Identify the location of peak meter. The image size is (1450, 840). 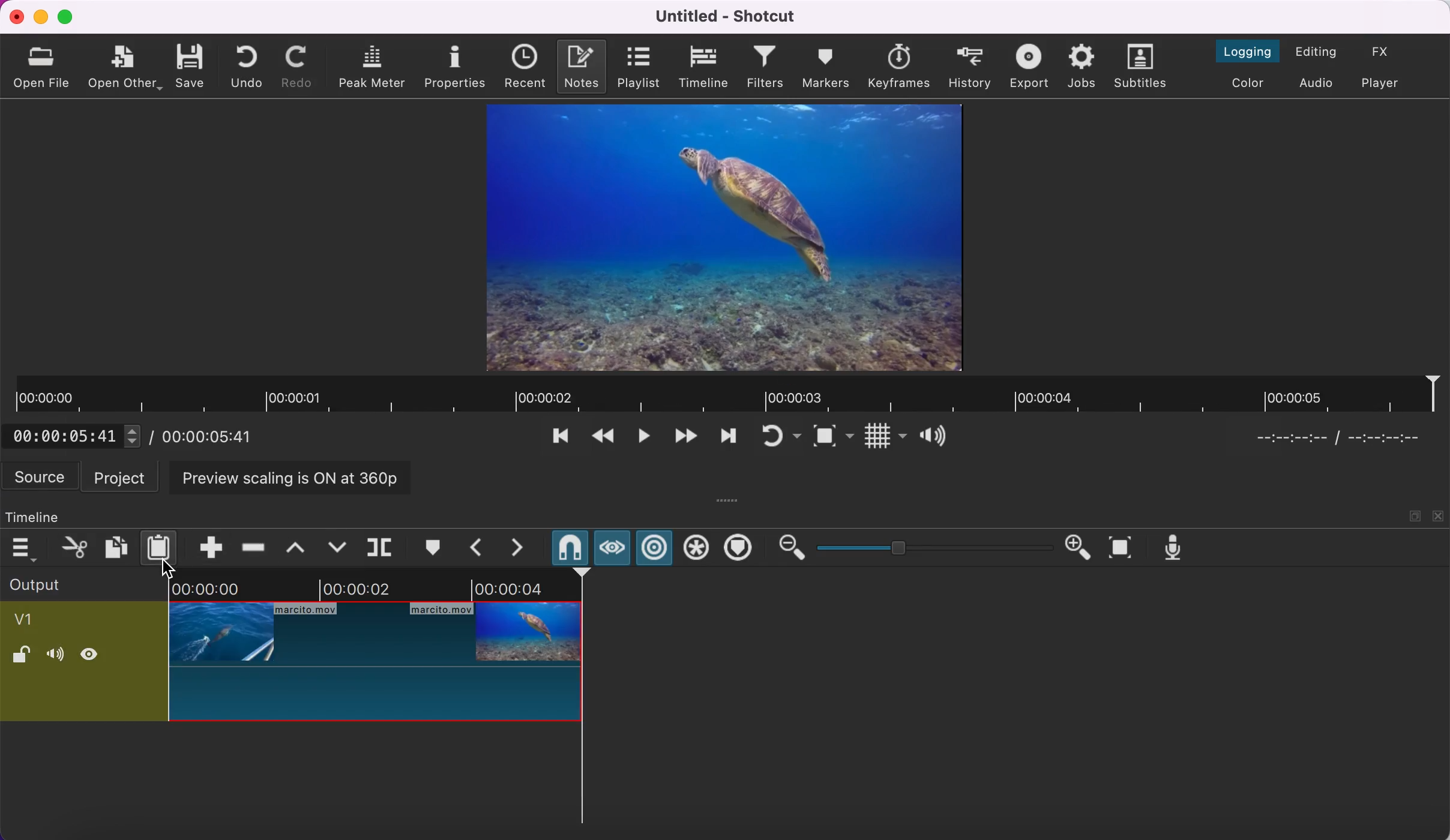
(372, 66).